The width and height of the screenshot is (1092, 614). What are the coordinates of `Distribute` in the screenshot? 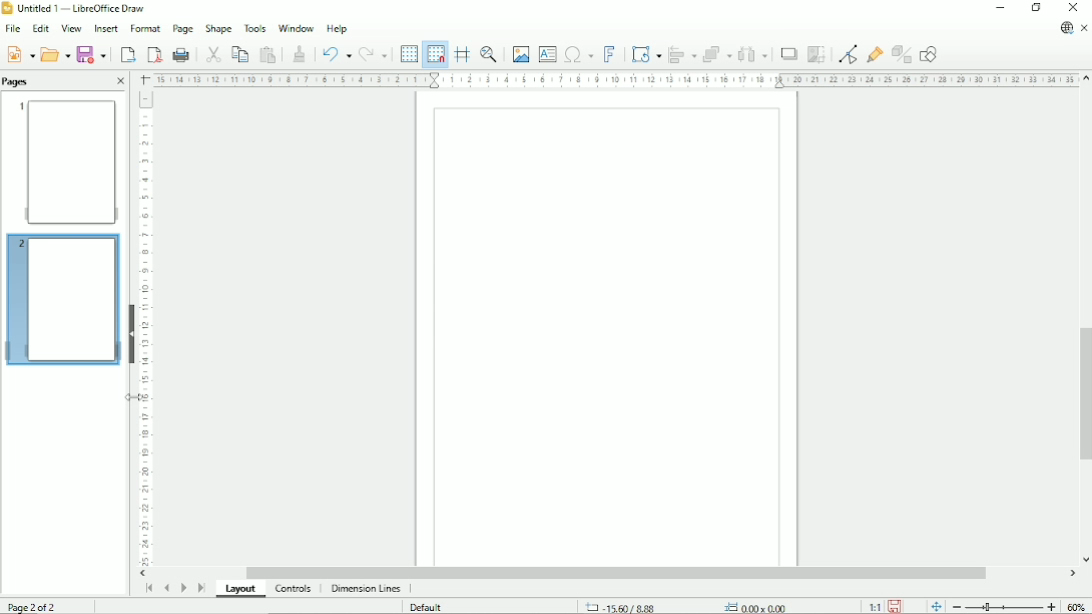 It's located at (753, 55).